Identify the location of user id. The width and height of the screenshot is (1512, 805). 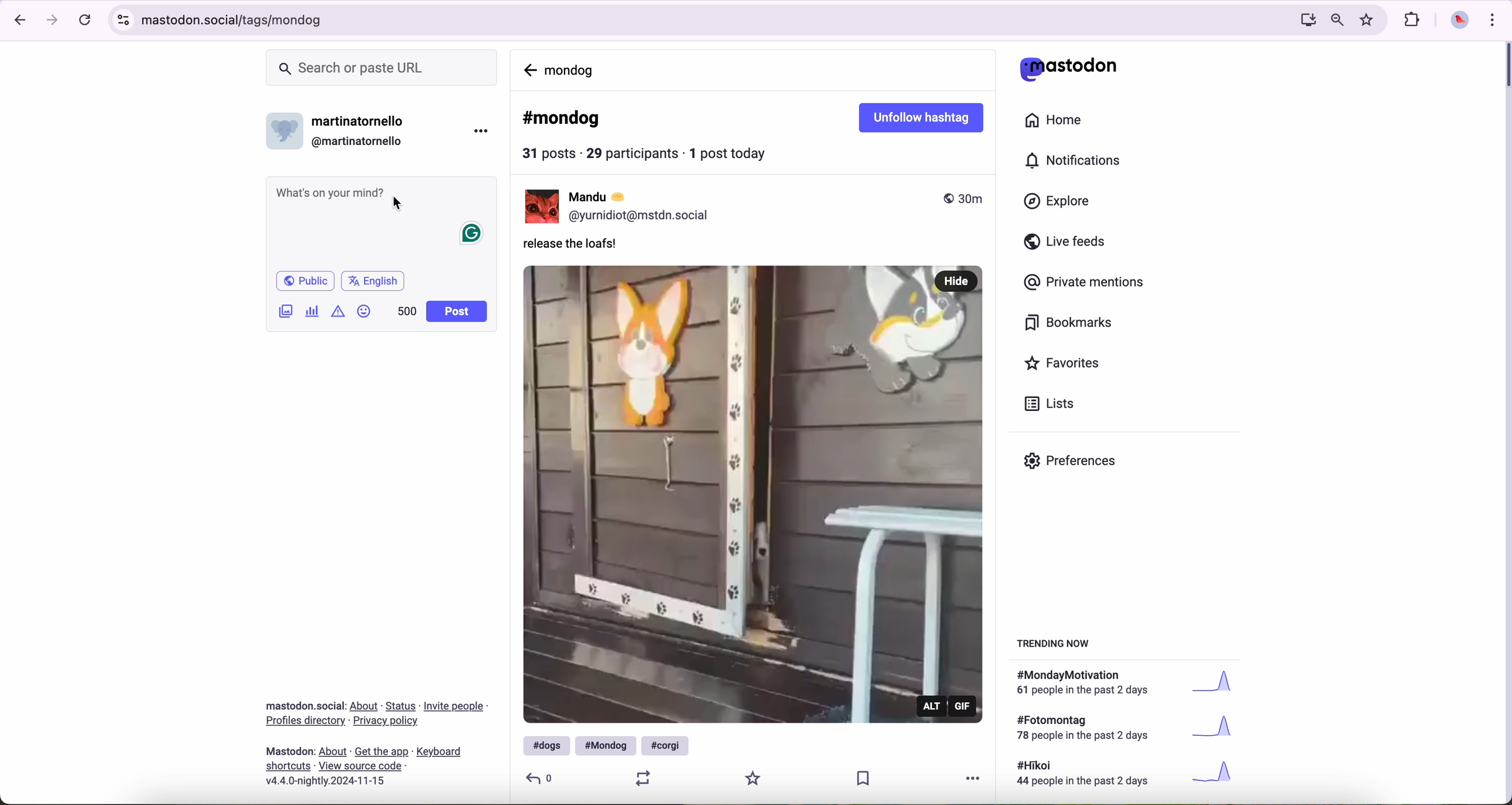
(361, 142).